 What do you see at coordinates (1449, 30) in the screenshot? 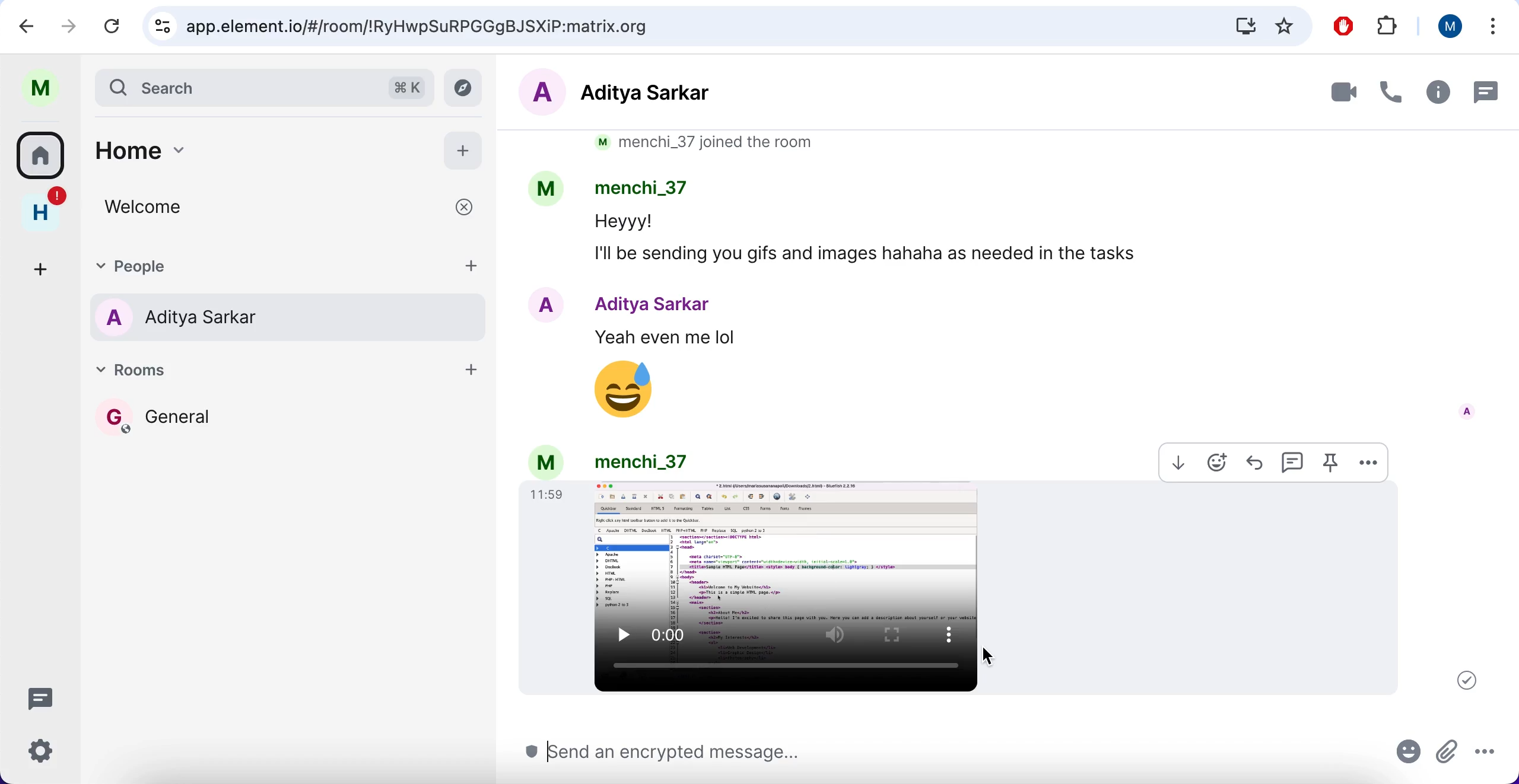
I see `user` at bounding box center [1449, 30].